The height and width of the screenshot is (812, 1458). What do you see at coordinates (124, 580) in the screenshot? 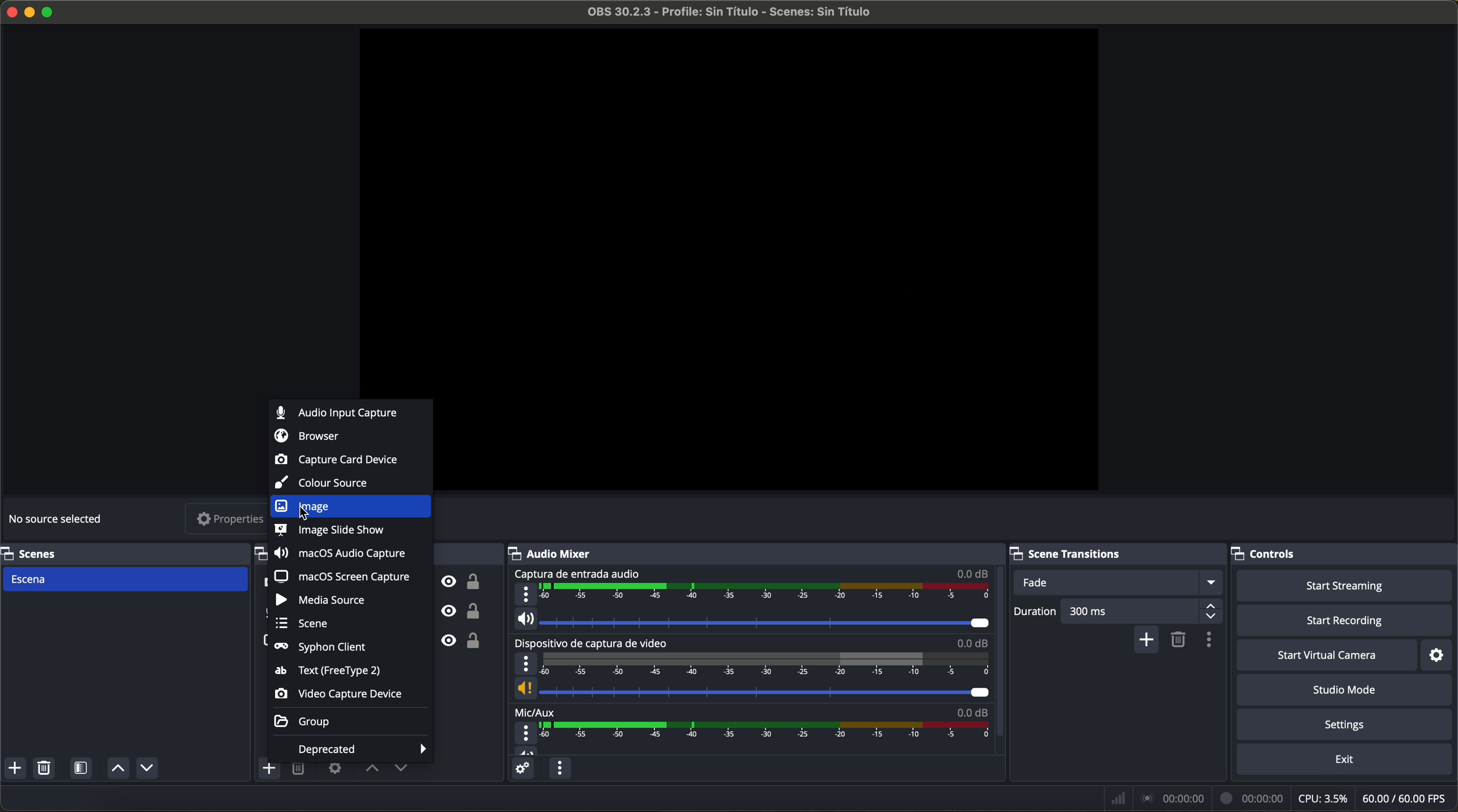
I see `scene` at bounding box center [124, 580].